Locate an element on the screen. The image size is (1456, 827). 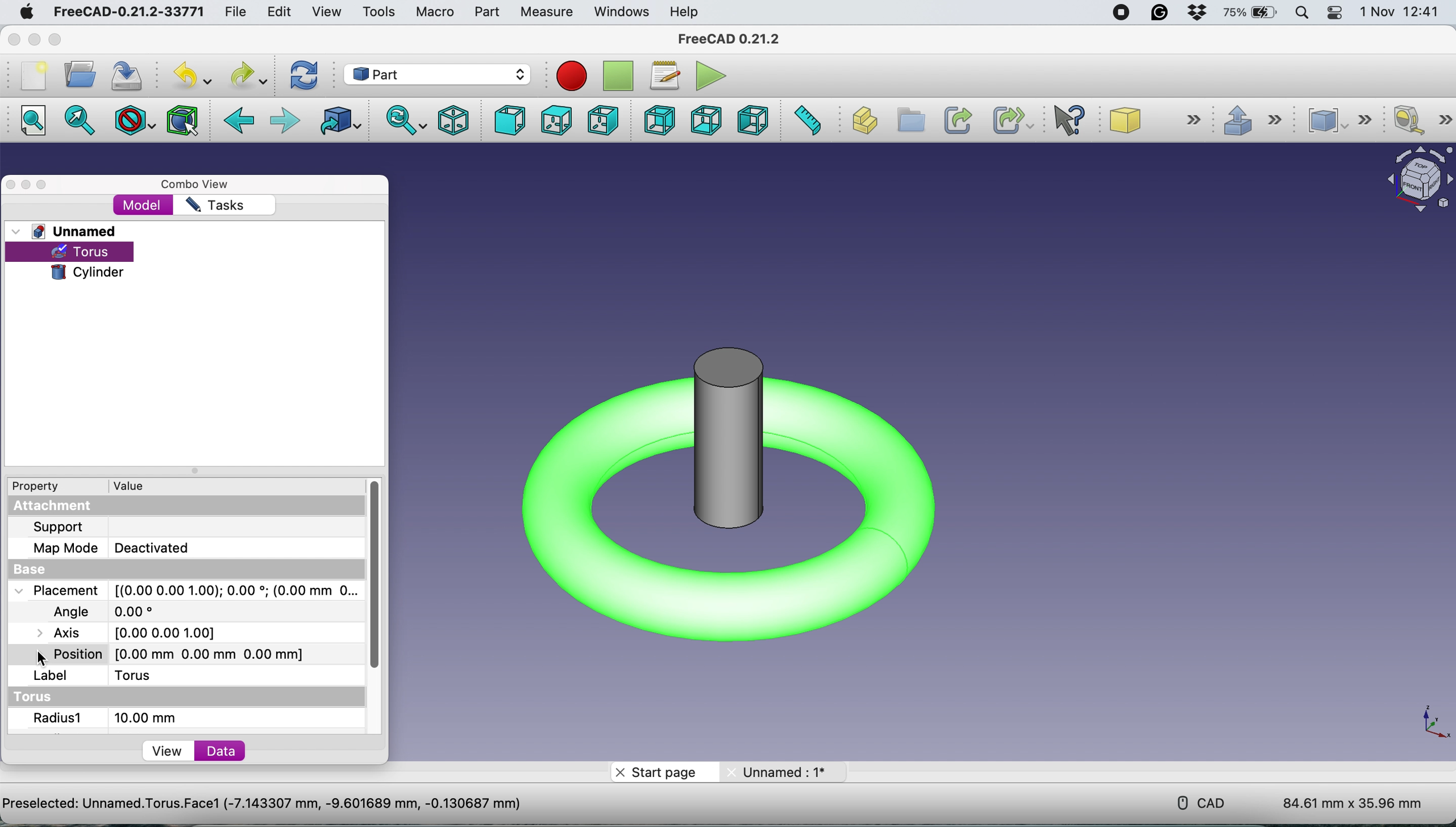
redo is located at coordinates (246, 74).